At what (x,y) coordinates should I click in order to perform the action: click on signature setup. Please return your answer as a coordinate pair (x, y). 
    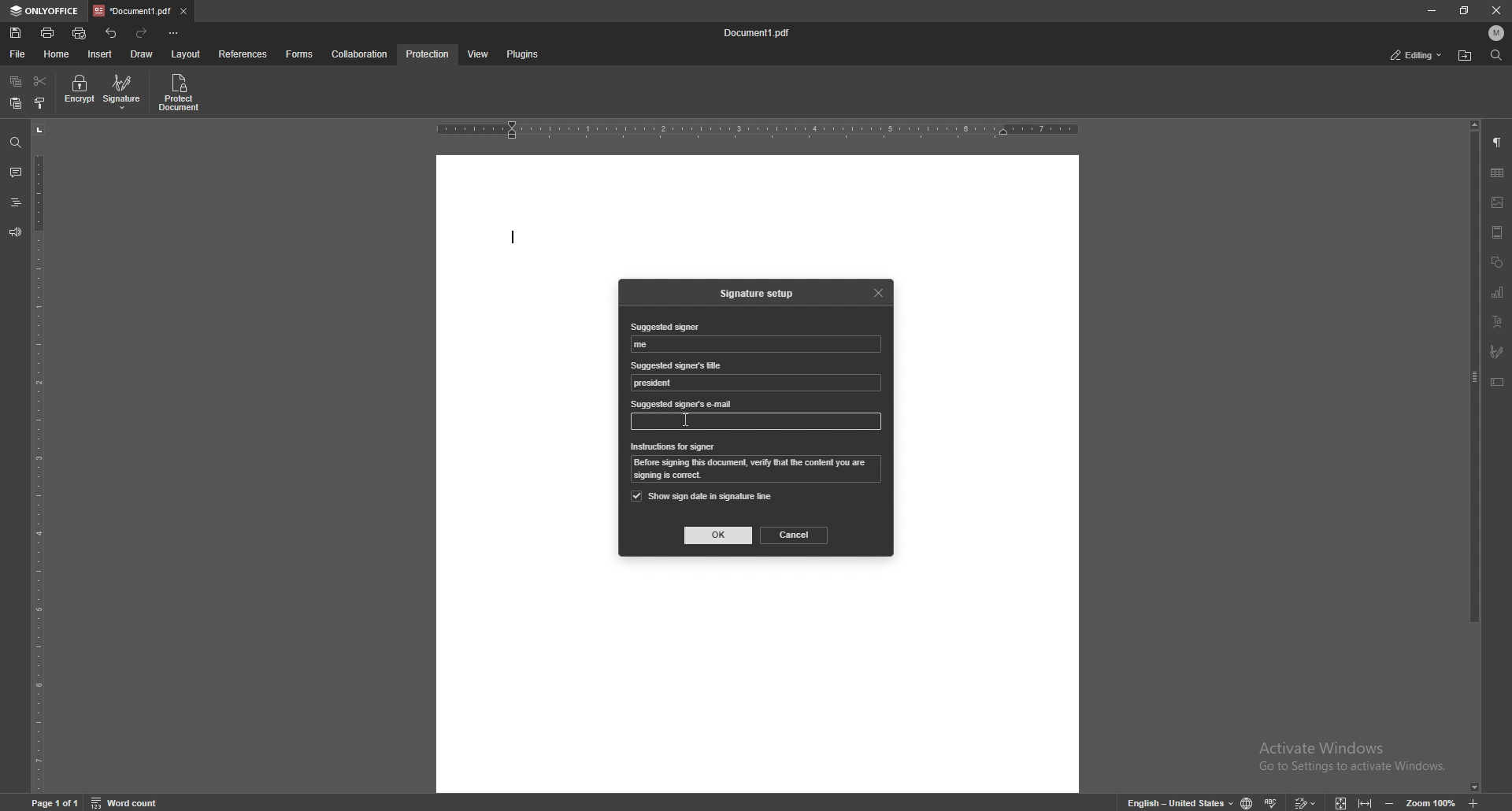
    Looking at the image, I should click on (760, 294).